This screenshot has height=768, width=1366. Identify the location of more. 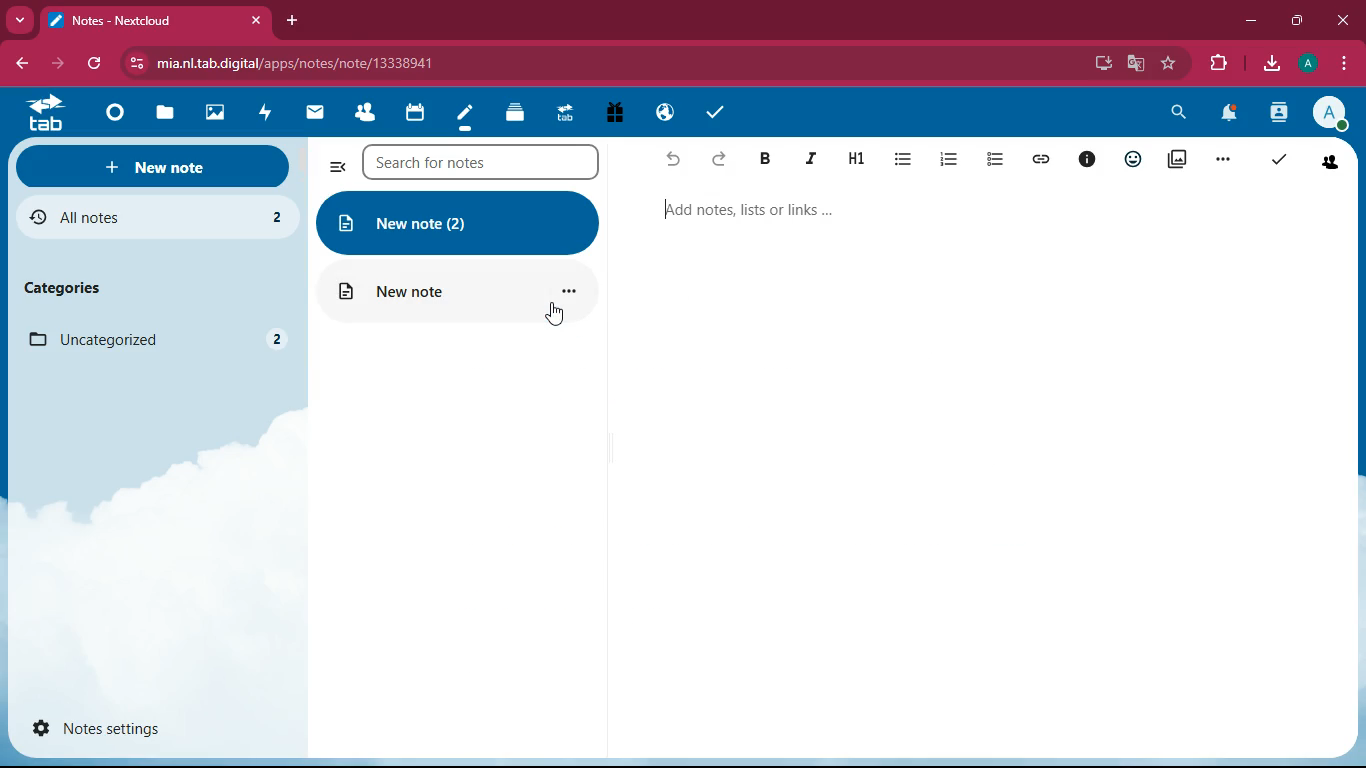
(19, 20).